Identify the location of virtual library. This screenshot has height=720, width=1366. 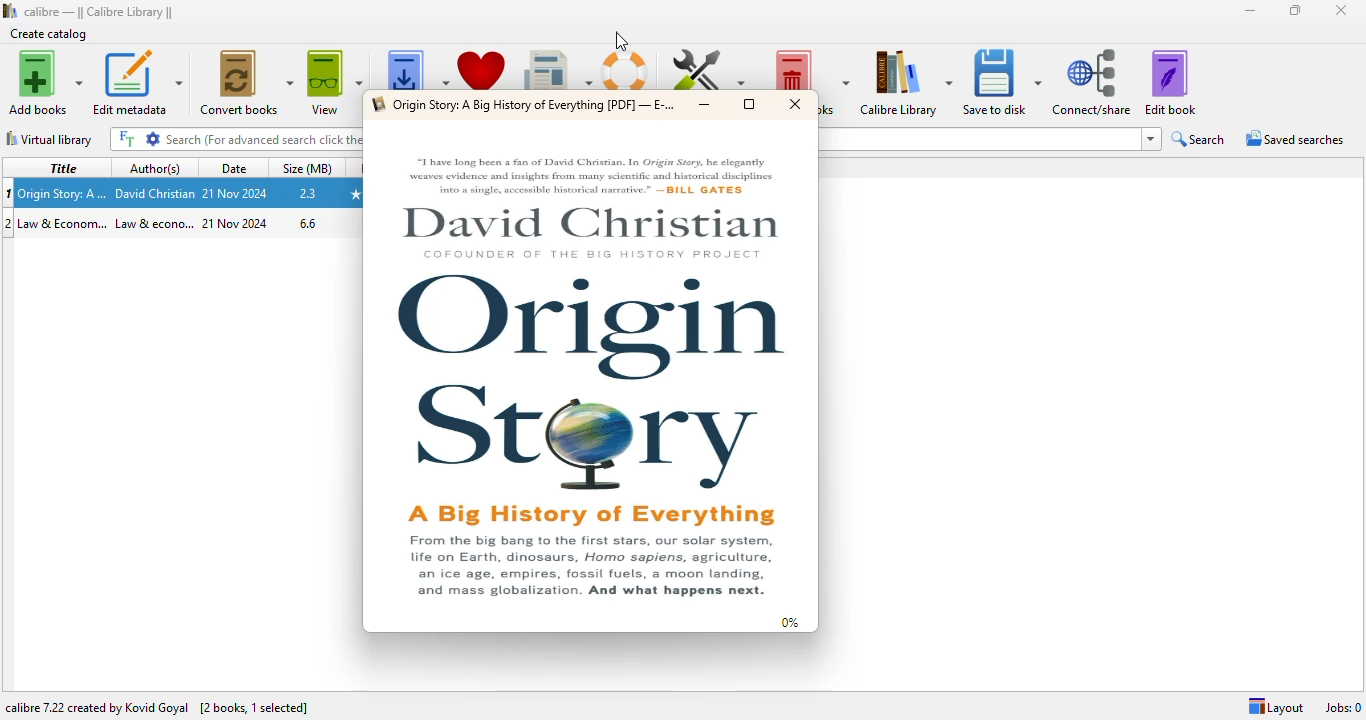
(49, 139).